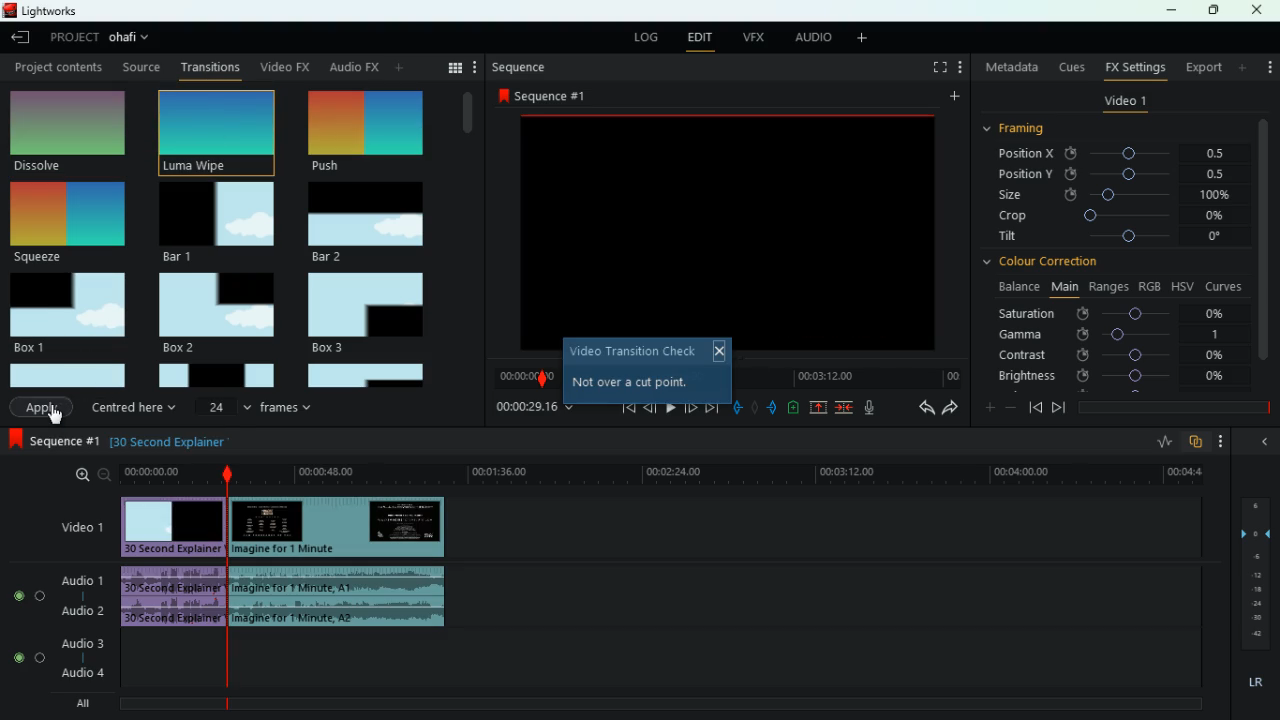  What do you see at coordinates (1108, 286) in the screenshot?
I see `ranges` at bounding box center [1108, 286].